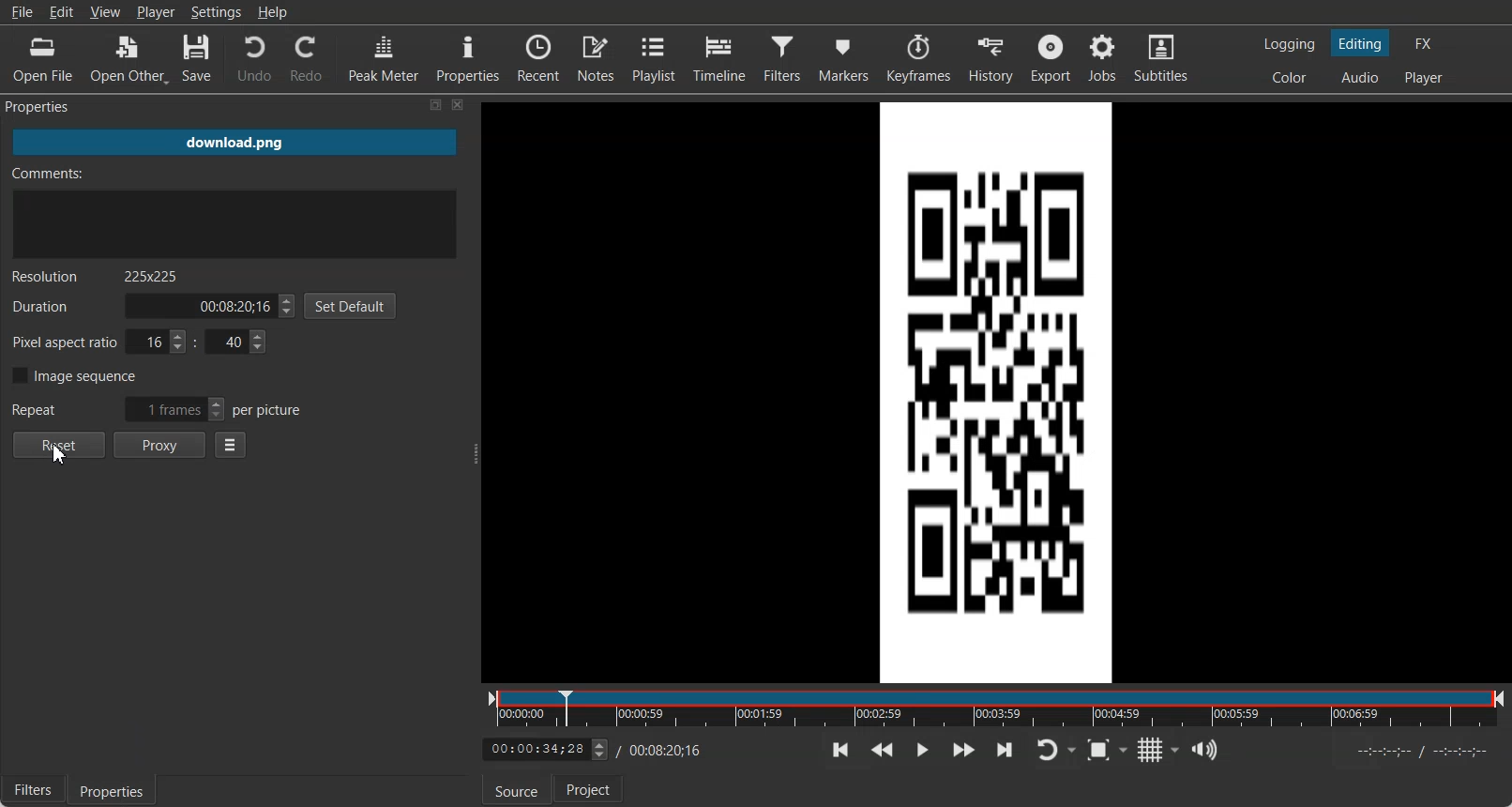  Describe the element at coordinates (963, 749) in the screenshot. I see `Play quickly forward` at that location.